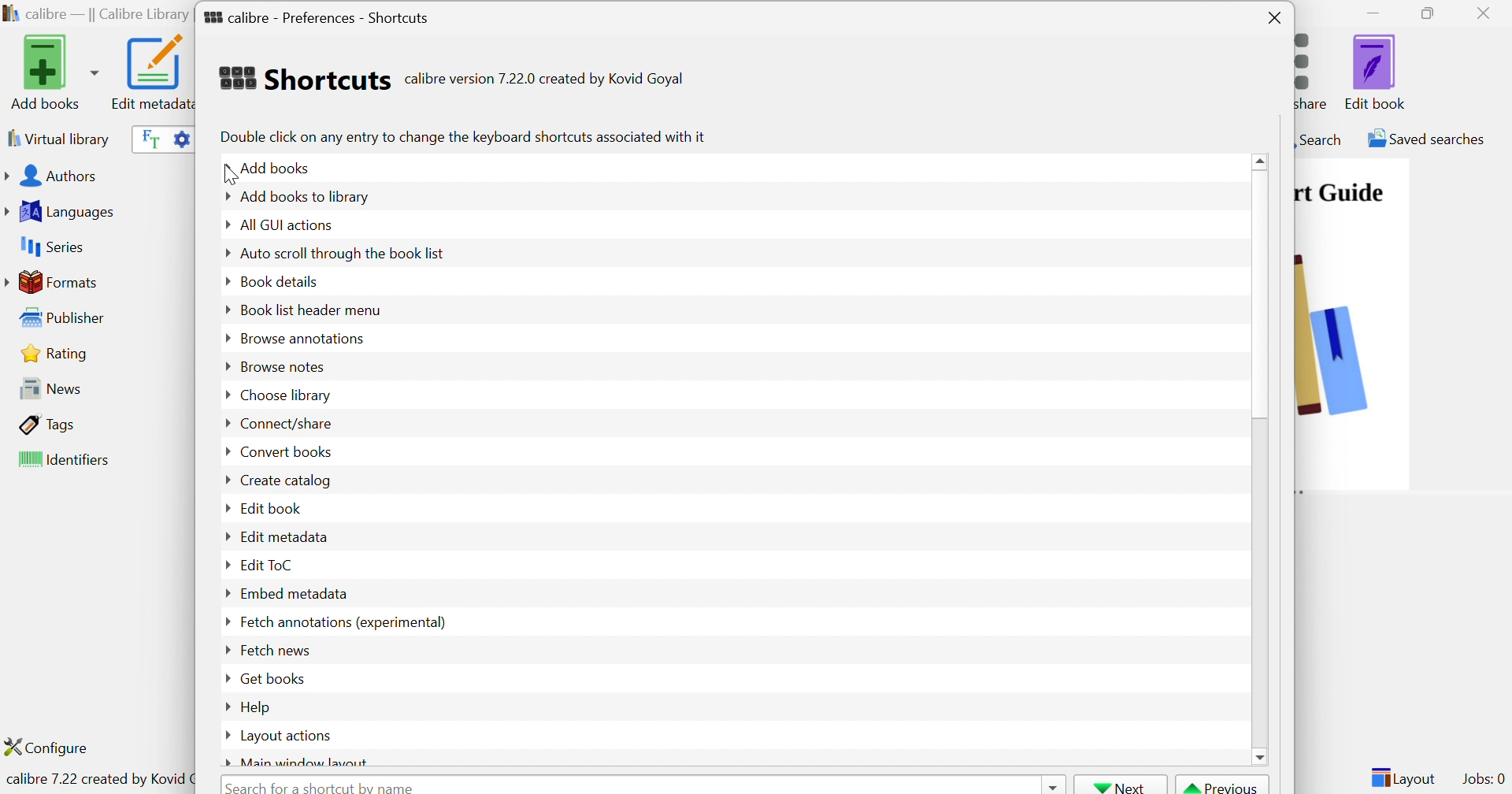  Describe the element at coordinates (97, 781) in the screenshot. I see `calibre 7.22 created by Kovid` at that location.